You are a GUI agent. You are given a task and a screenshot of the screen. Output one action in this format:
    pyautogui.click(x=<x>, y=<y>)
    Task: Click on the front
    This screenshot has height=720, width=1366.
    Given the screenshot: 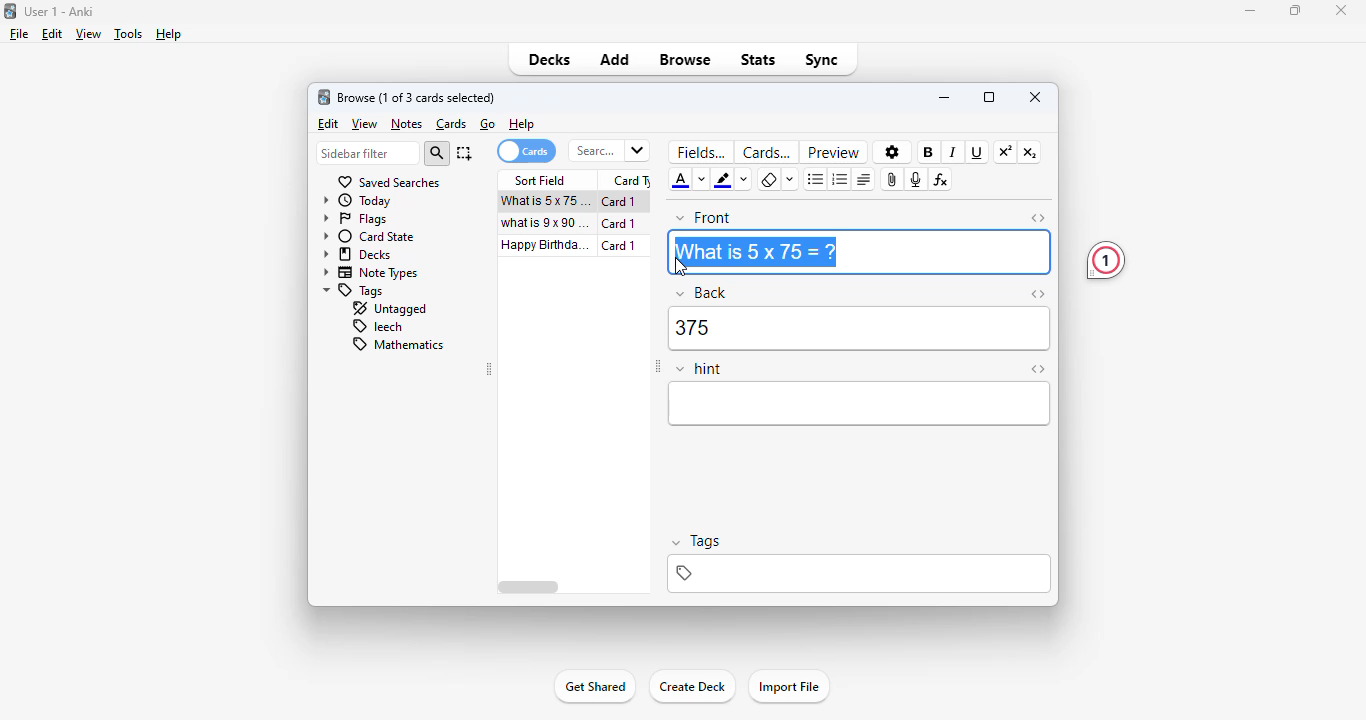 What is the action you would take?
    pyautogui.click(x=703, y=218)
    